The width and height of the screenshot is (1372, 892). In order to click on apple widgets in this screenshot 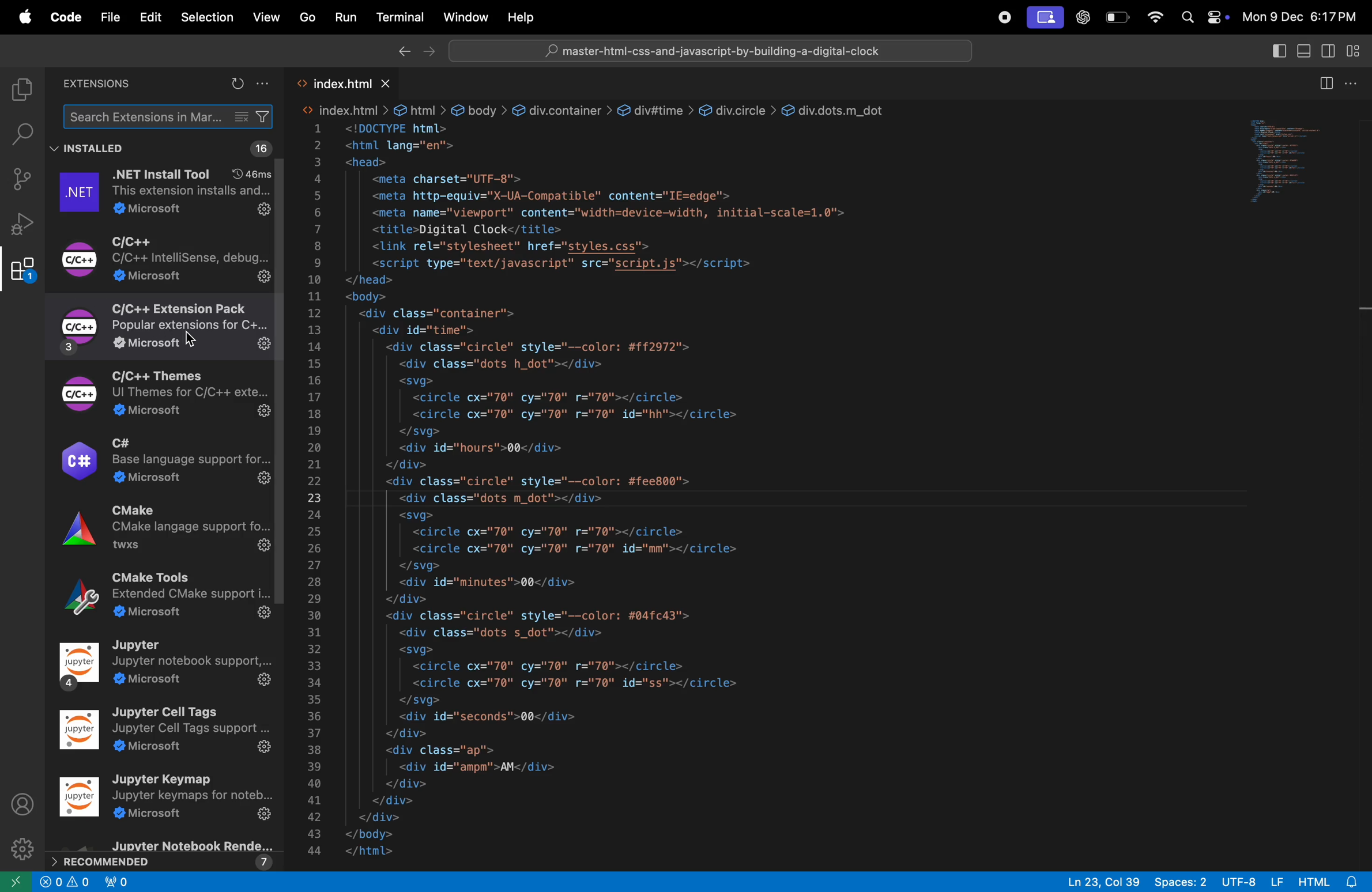, I will do `click(1204, 16)`.